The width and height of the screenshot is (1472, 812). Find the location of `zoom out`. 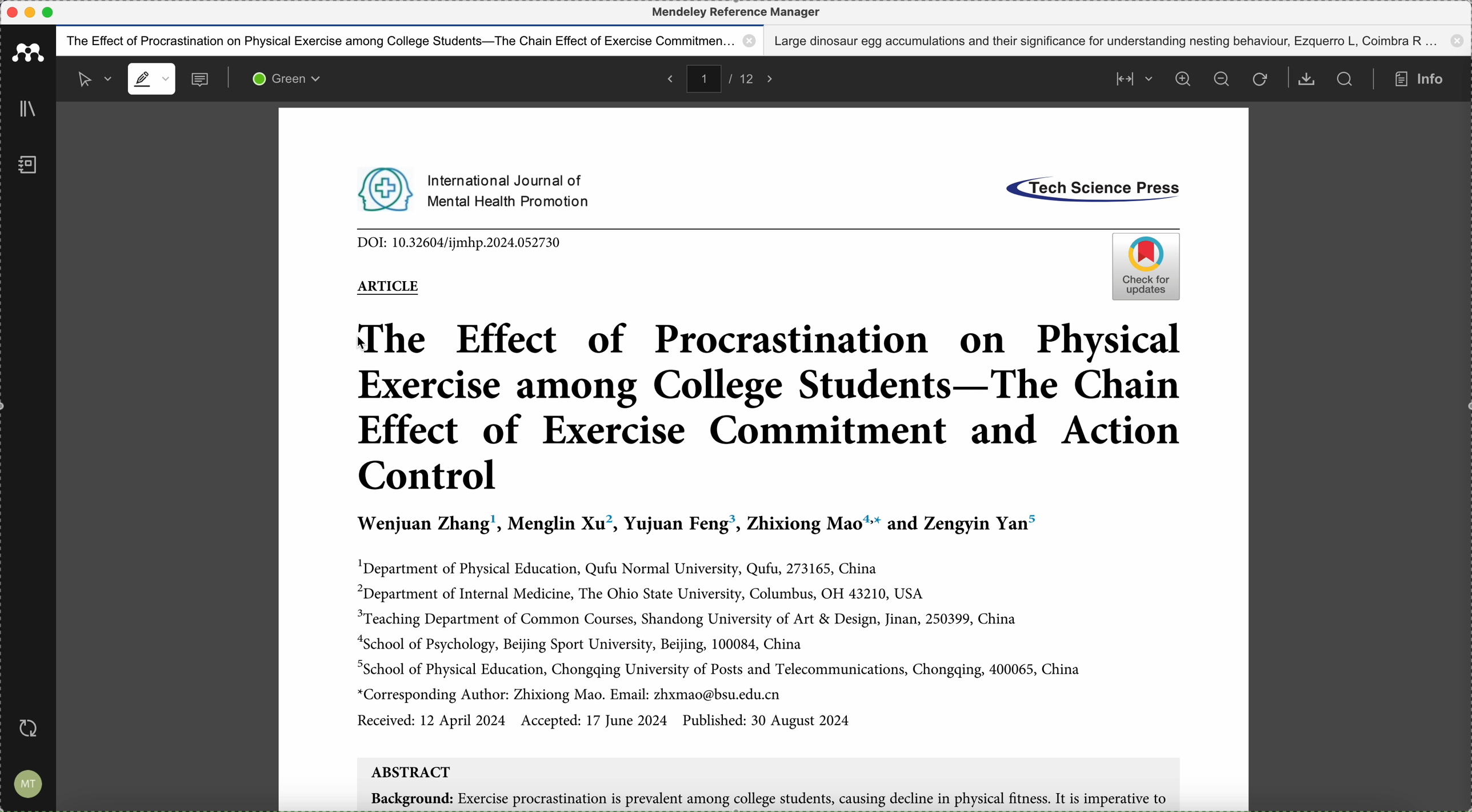

zoom out is located at coordinates (1223, 80).